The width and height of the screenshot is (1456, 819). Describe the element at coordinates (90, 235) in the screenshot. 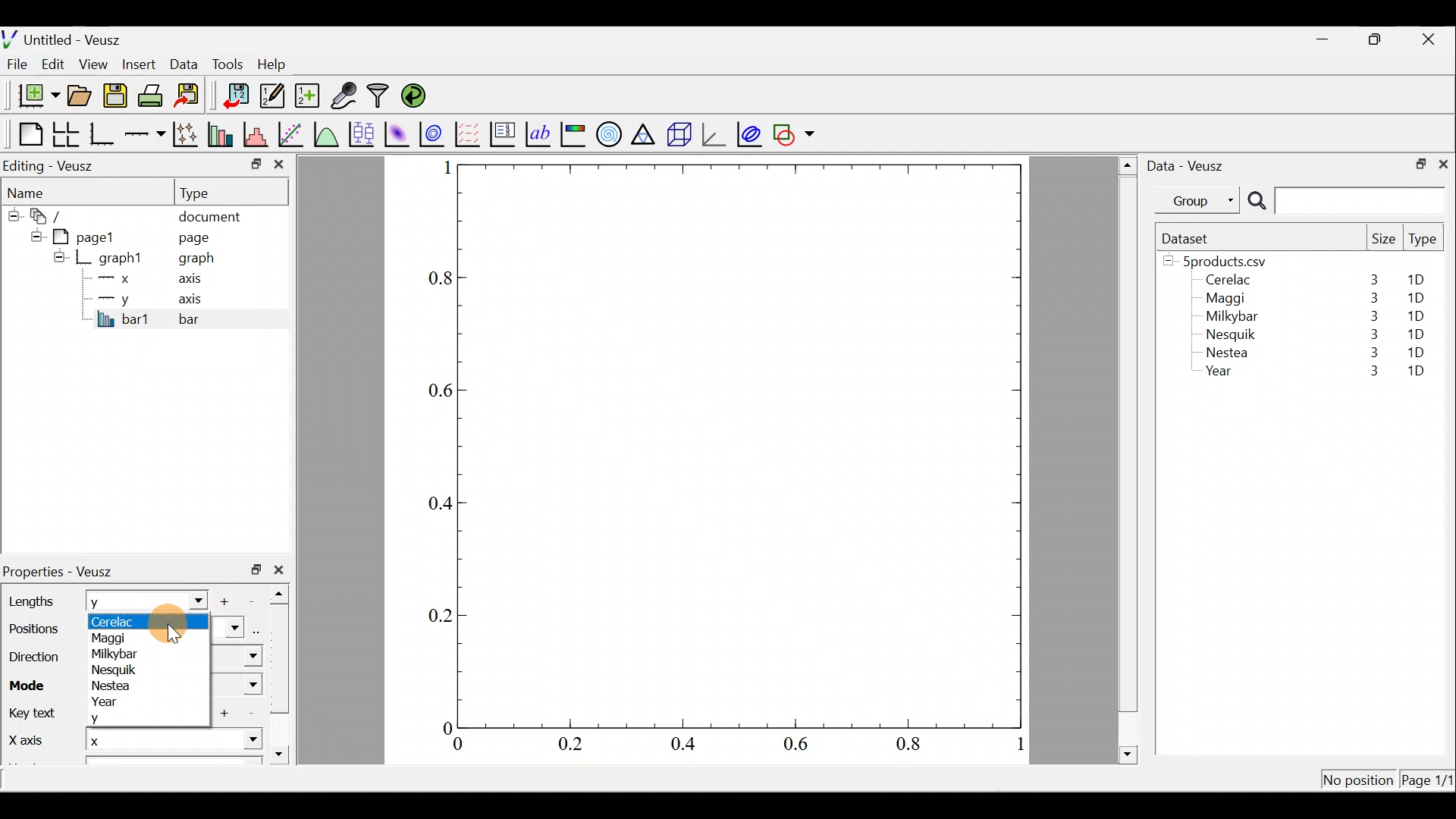

I see `pagel` at that location.